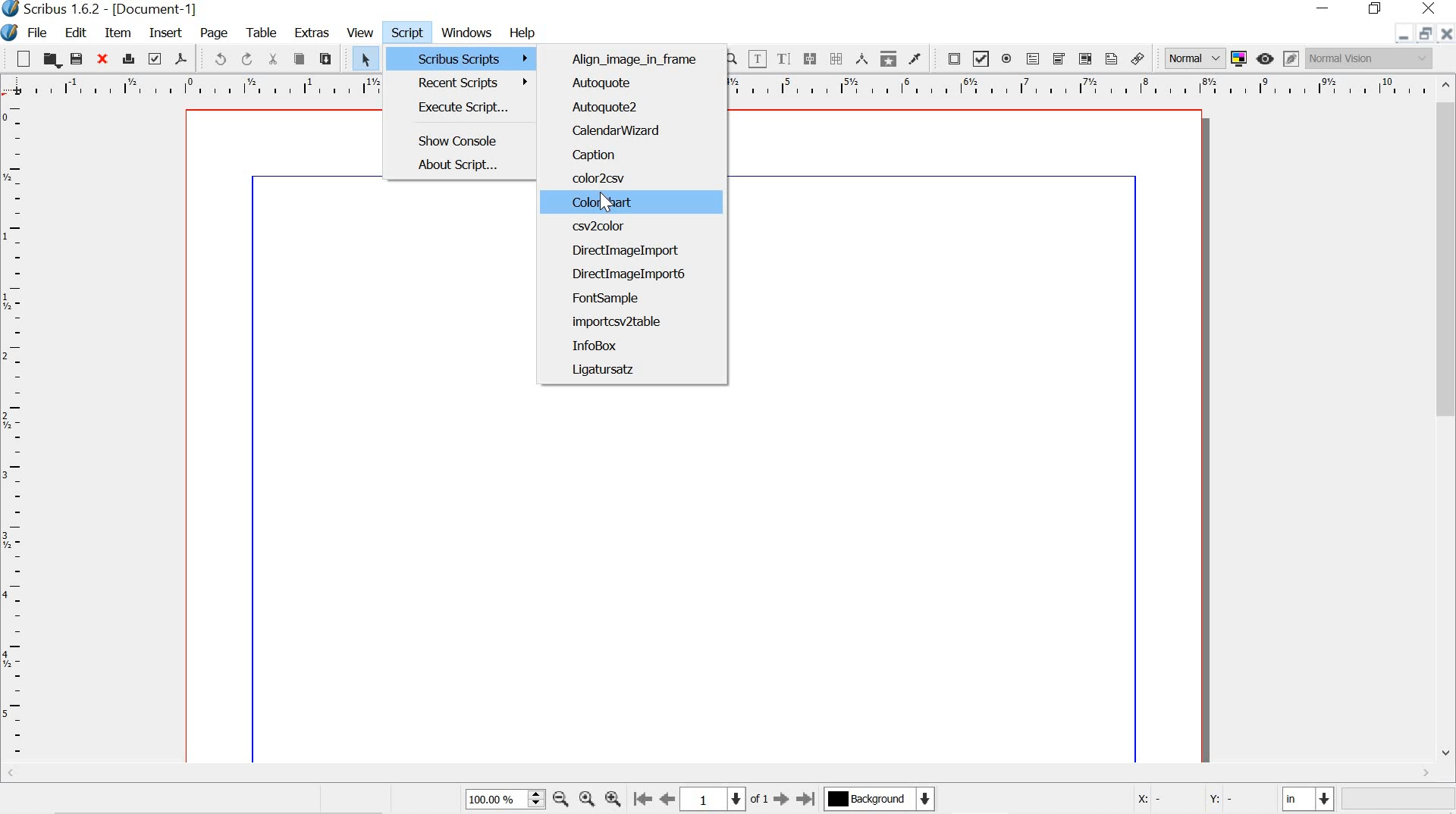 The image size is (1456, 814). Describe the element at coordinates (836, 58) in the screenshot. I see `unlink text frames` at that location.